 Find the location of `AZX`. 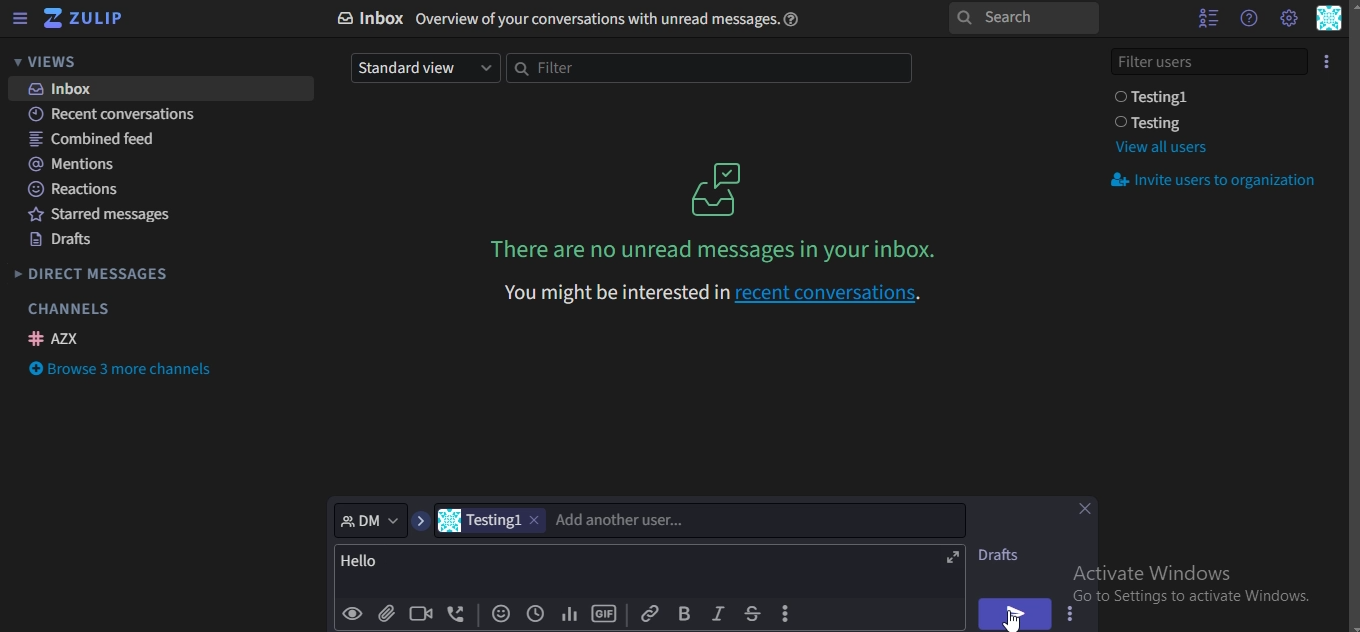

AZX is located at coordinates (57, 338).